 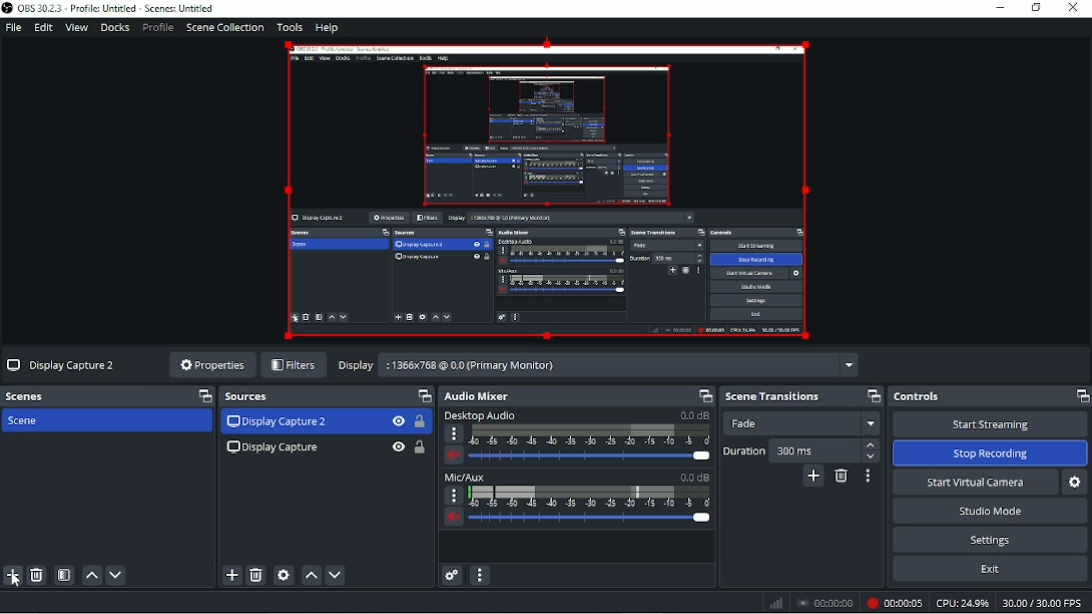 What do you see at coordinates (693, 414) in the screenshot?
I see `0.0 dB` at bounding box center [693, 414].